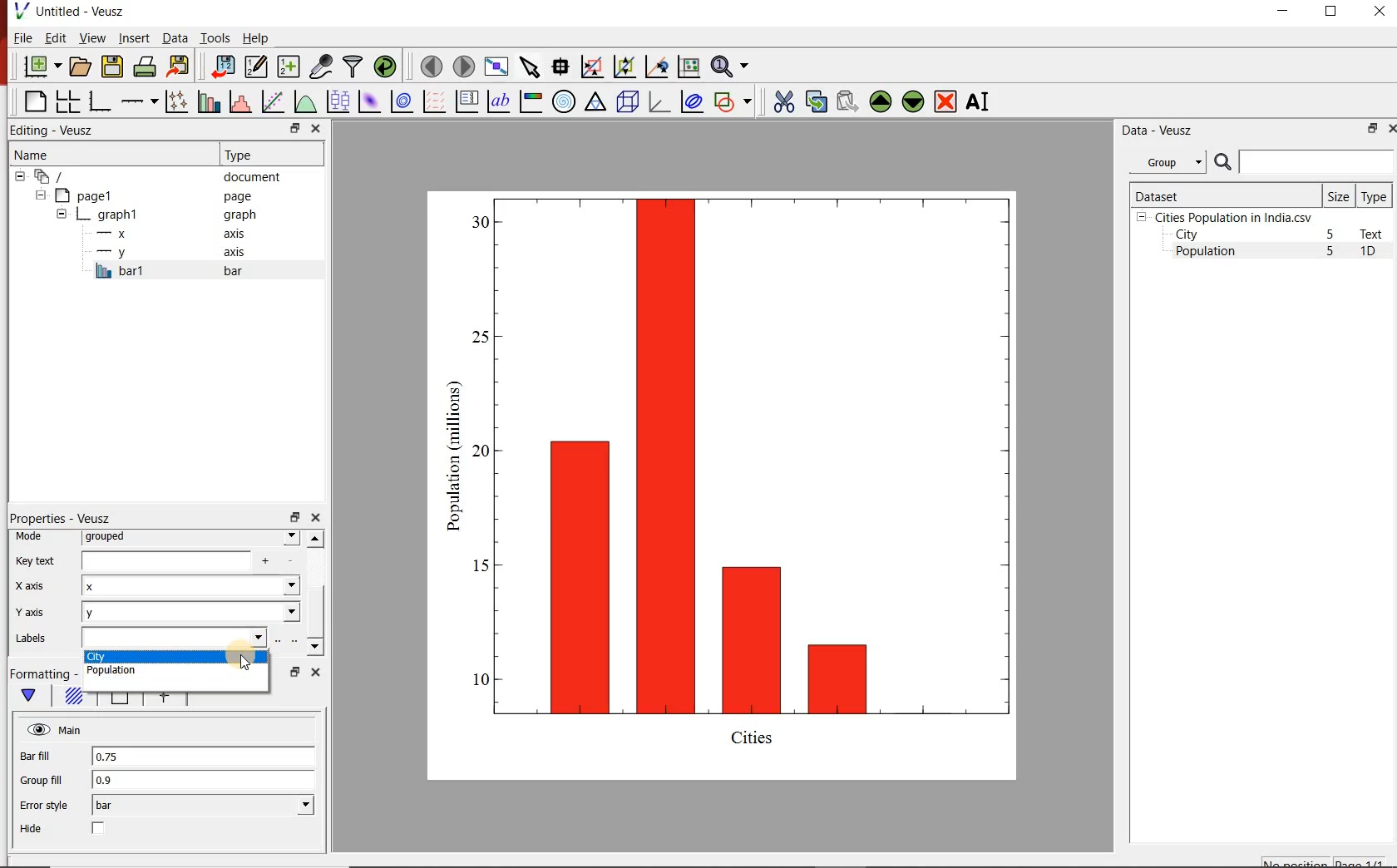 This screenshot has width=1397, height=868. What do you see at coordinates (496, 67) in the screenshot?
I see `view plot full screen` at bounding box center [496, 67].